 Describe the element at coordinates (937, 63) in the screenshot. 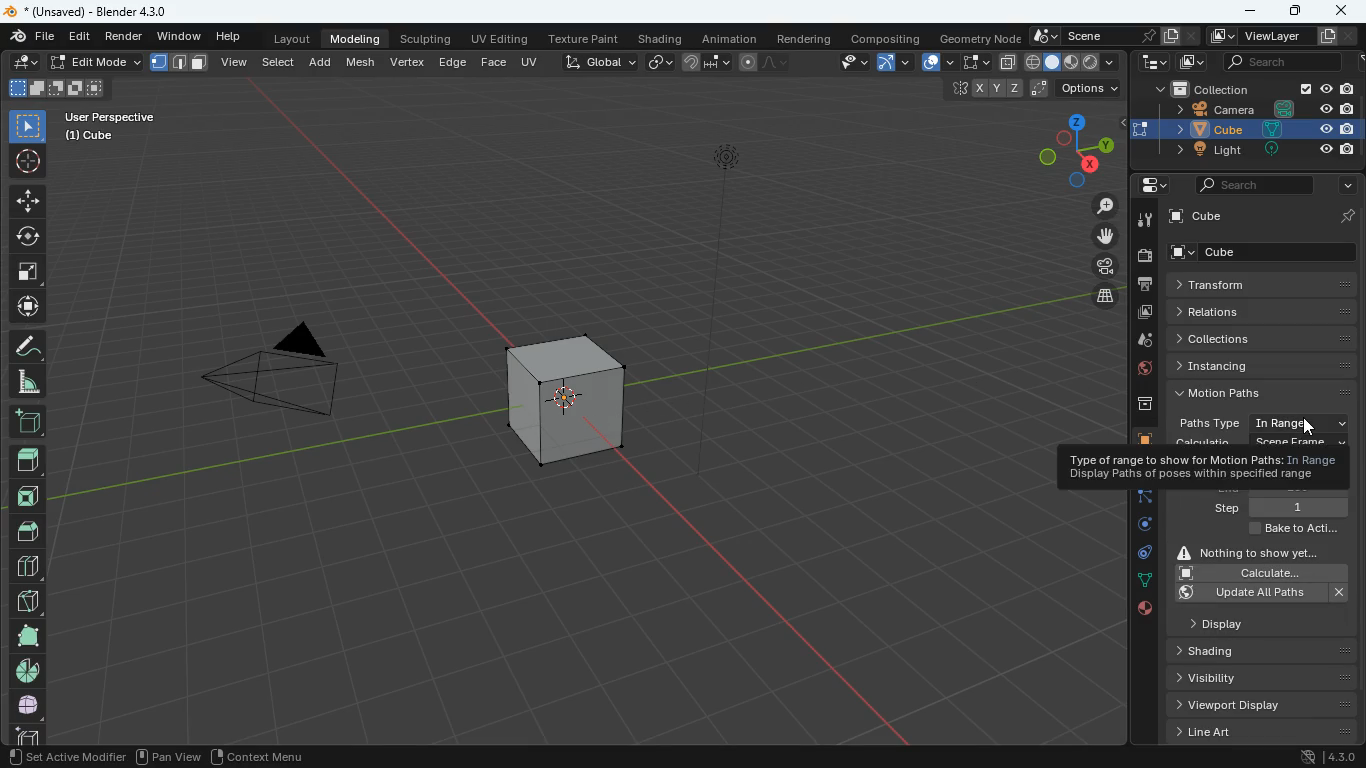

I see `overlap` at that location.